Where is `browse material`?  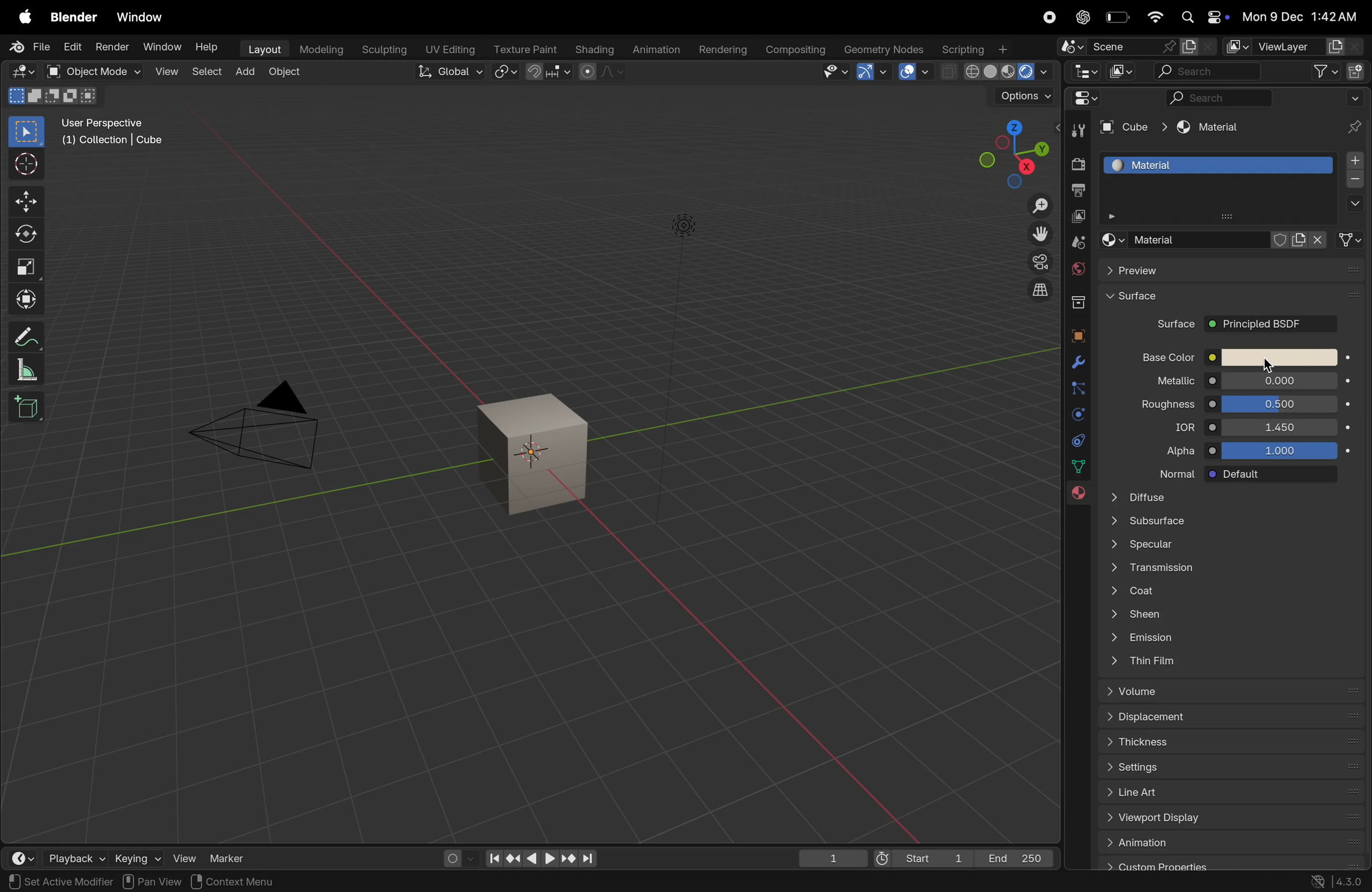
browse material is located at coordinates (1111, 240).